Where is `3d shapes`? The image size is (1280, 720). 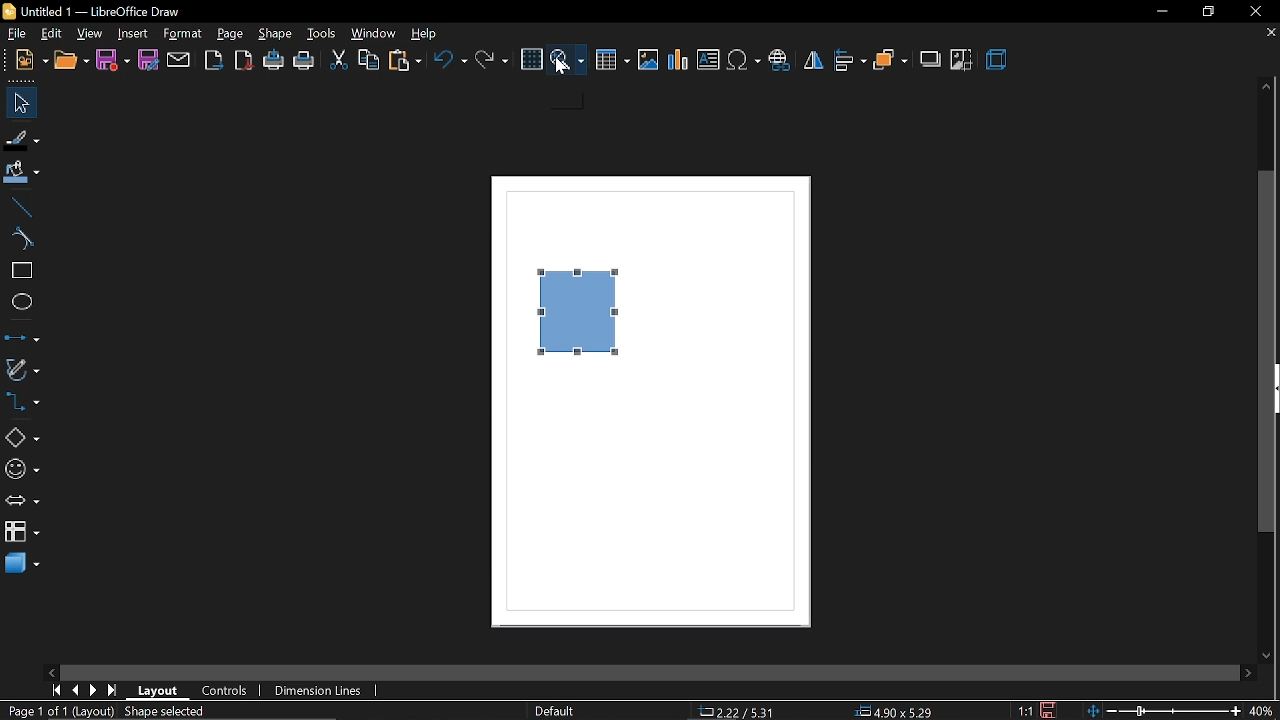 3d shapes is located at coordinates (22, 565).